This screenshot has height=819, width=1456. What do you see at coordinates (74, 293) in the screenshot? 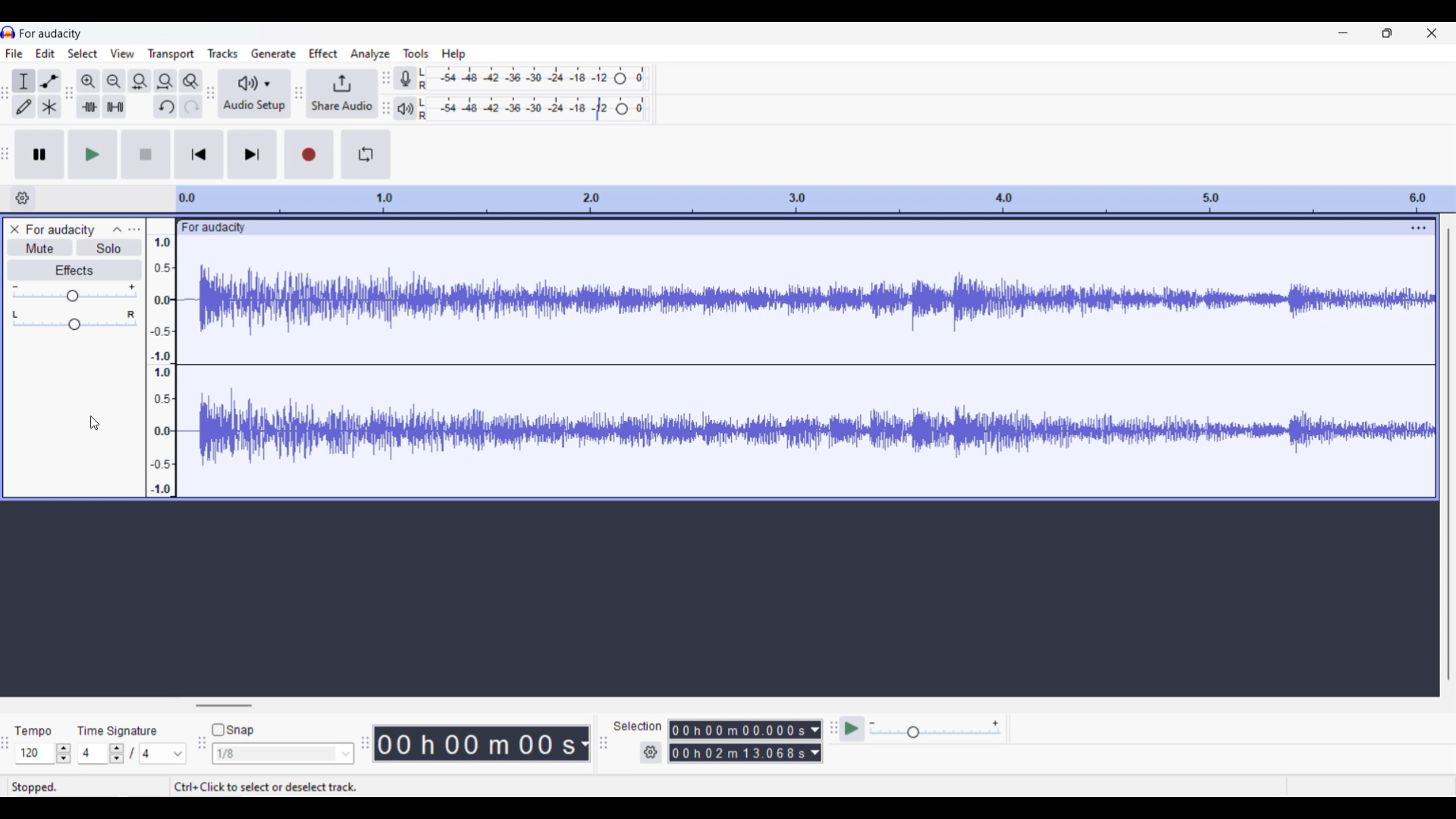
I see `Volume slide` at bounding box center [74, 293].